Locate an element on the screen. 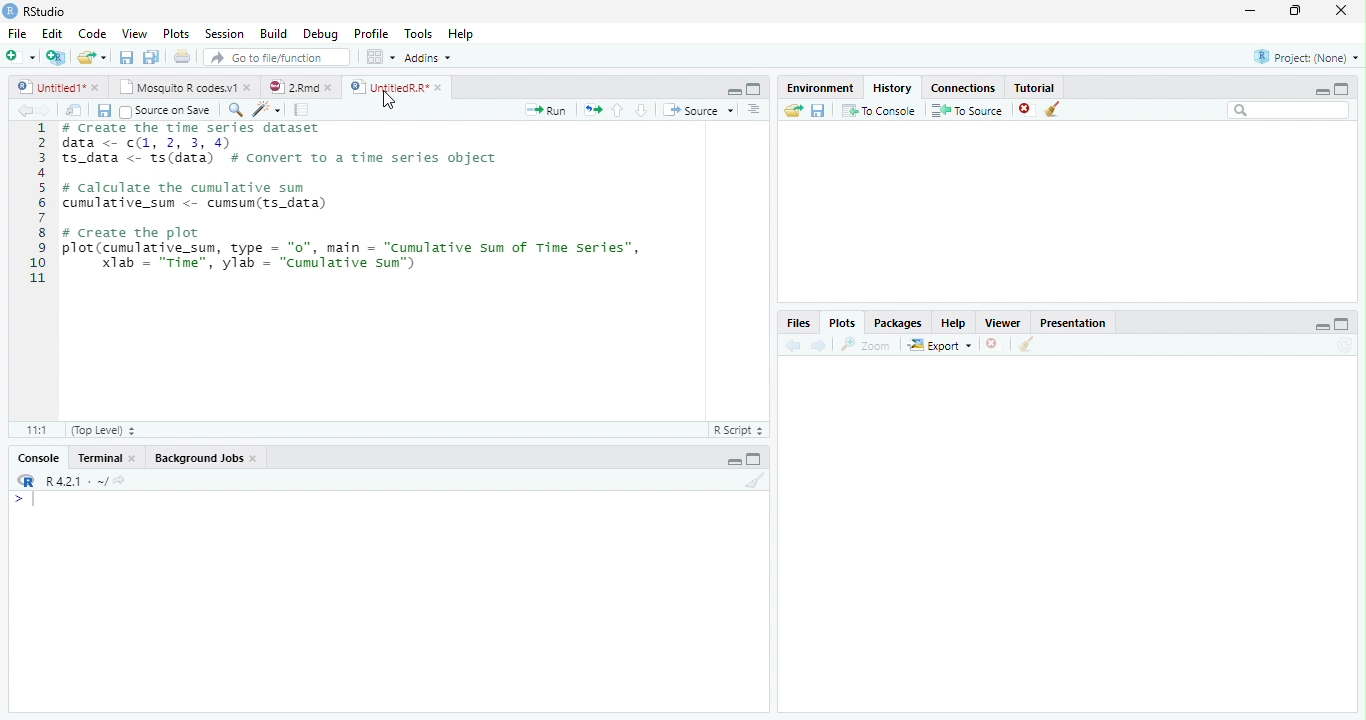  Addins is located at coordinates (430, 60).